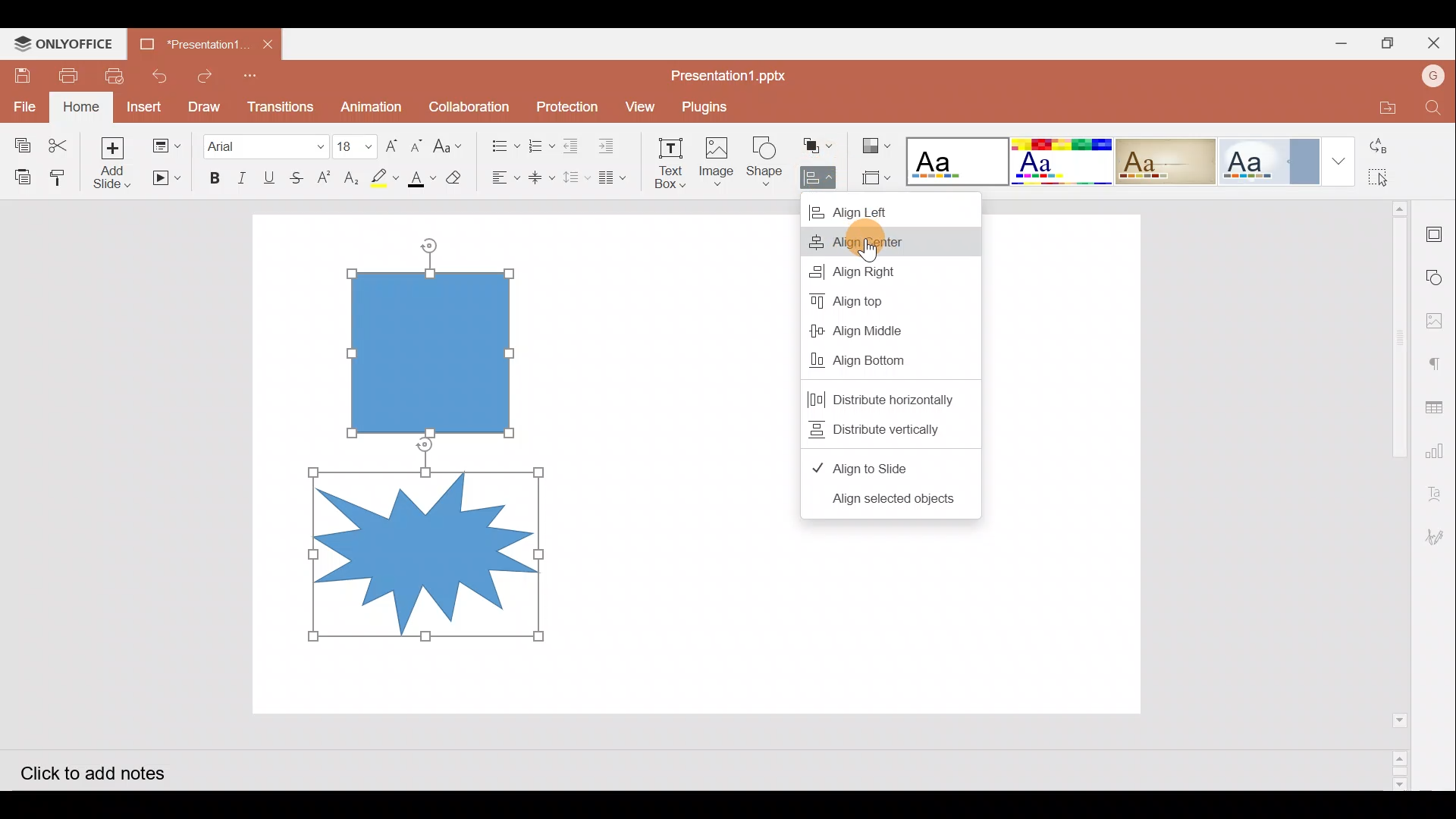 The image size is (1456, 819). I want to click on Align right, so click(872, 268).